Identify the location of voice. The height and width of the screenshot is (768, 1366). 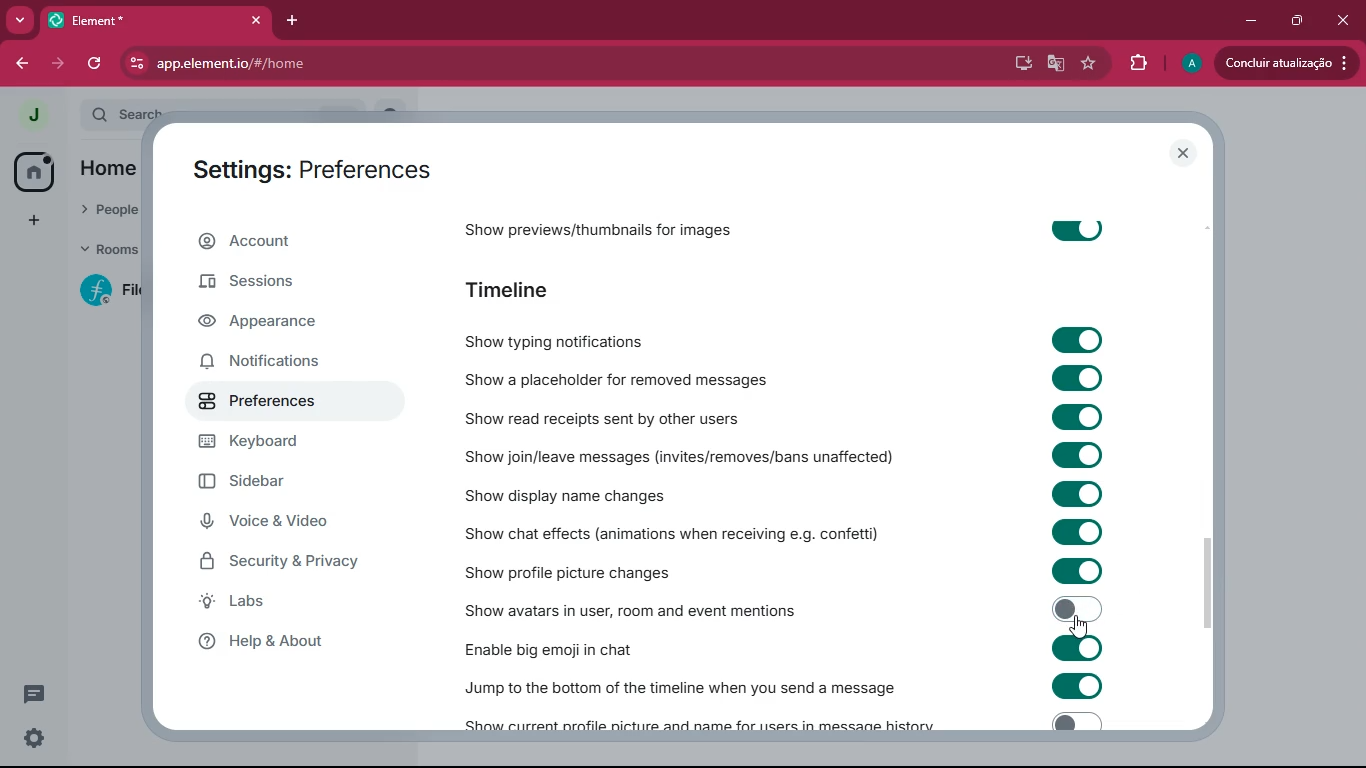
(293, 526).